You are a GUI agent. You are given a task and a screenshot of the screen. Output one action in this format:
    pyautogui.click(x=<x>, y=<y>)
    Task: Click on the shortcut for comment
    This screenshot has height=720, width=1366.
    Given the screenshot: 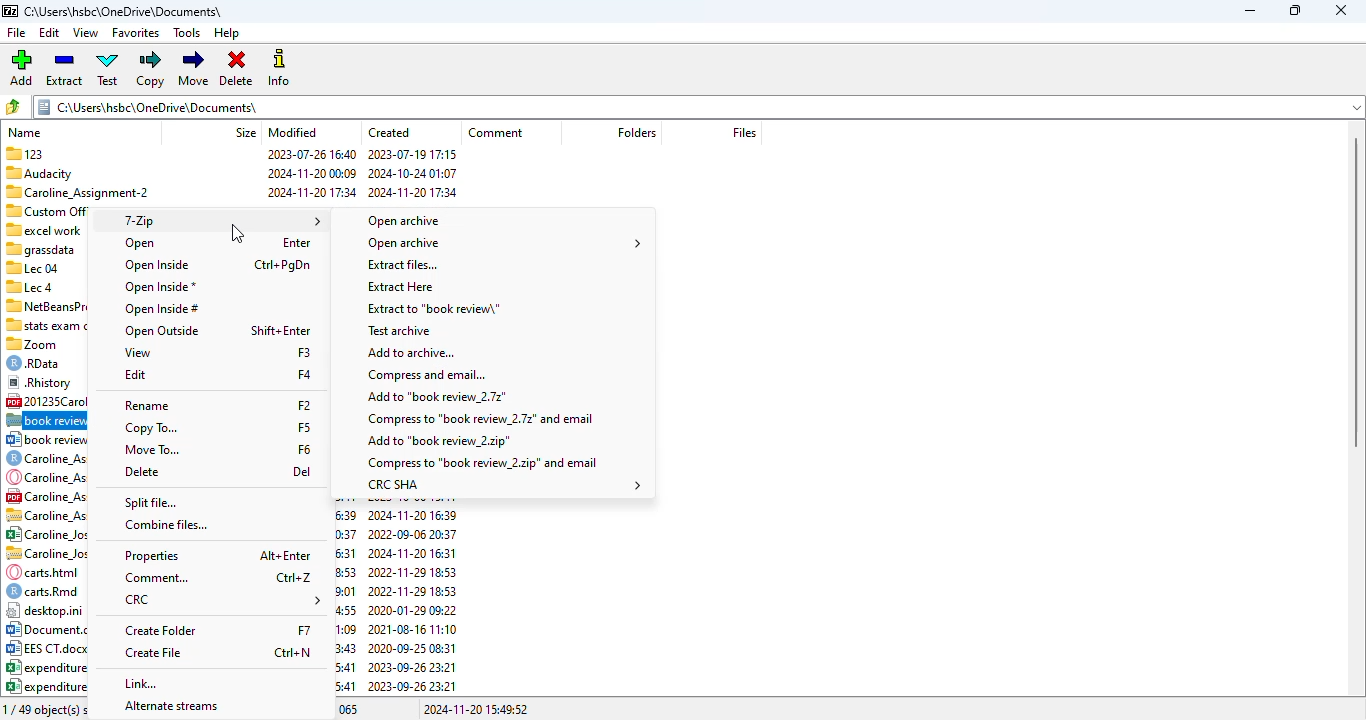 What is the action you would take?
    pyautogui.click(x=294, y=577)
    